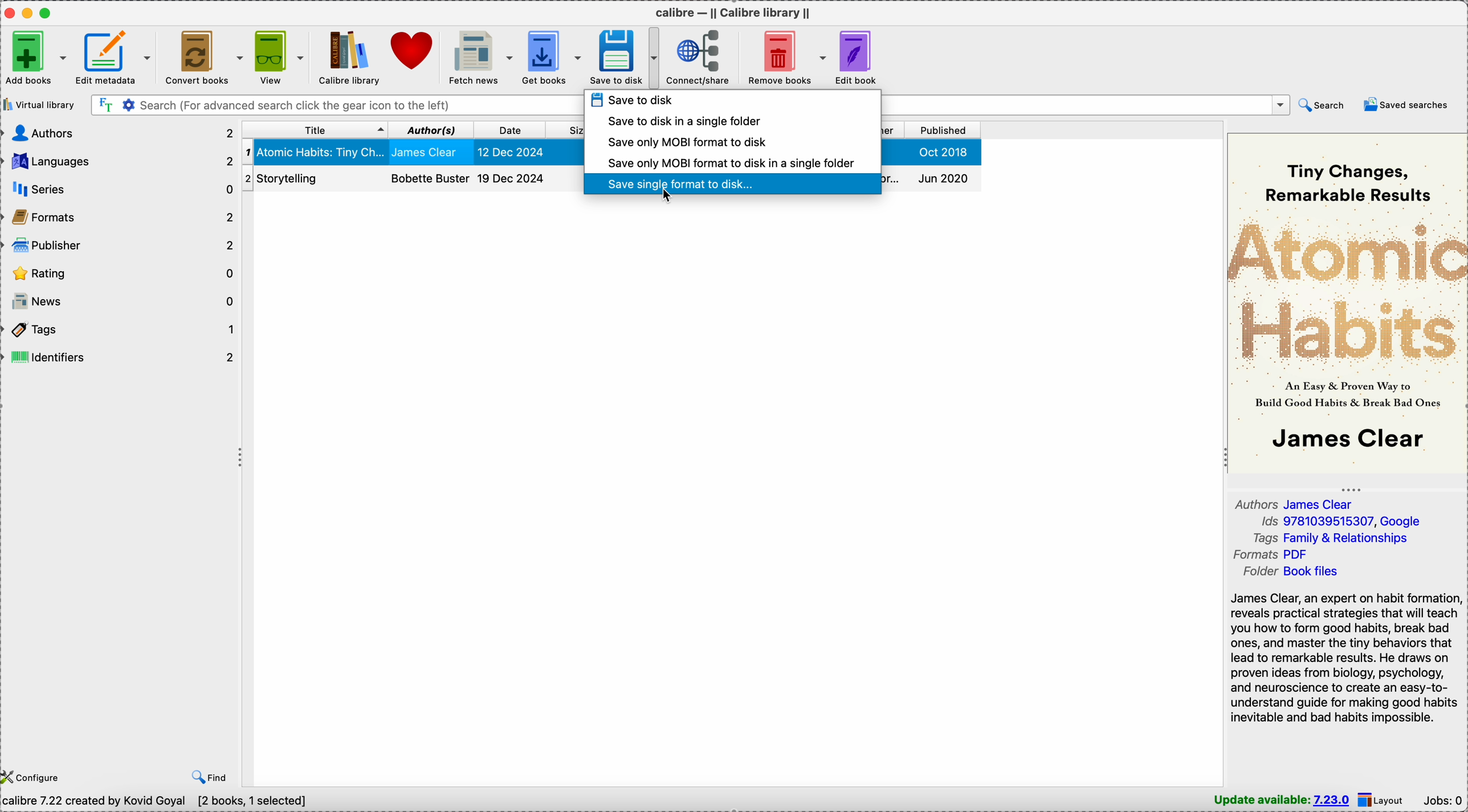 This screenshot has width=1468, height=812. Describe the element at coordinates (349, 56) in the screenshot. I see `Calibre library` at that location.